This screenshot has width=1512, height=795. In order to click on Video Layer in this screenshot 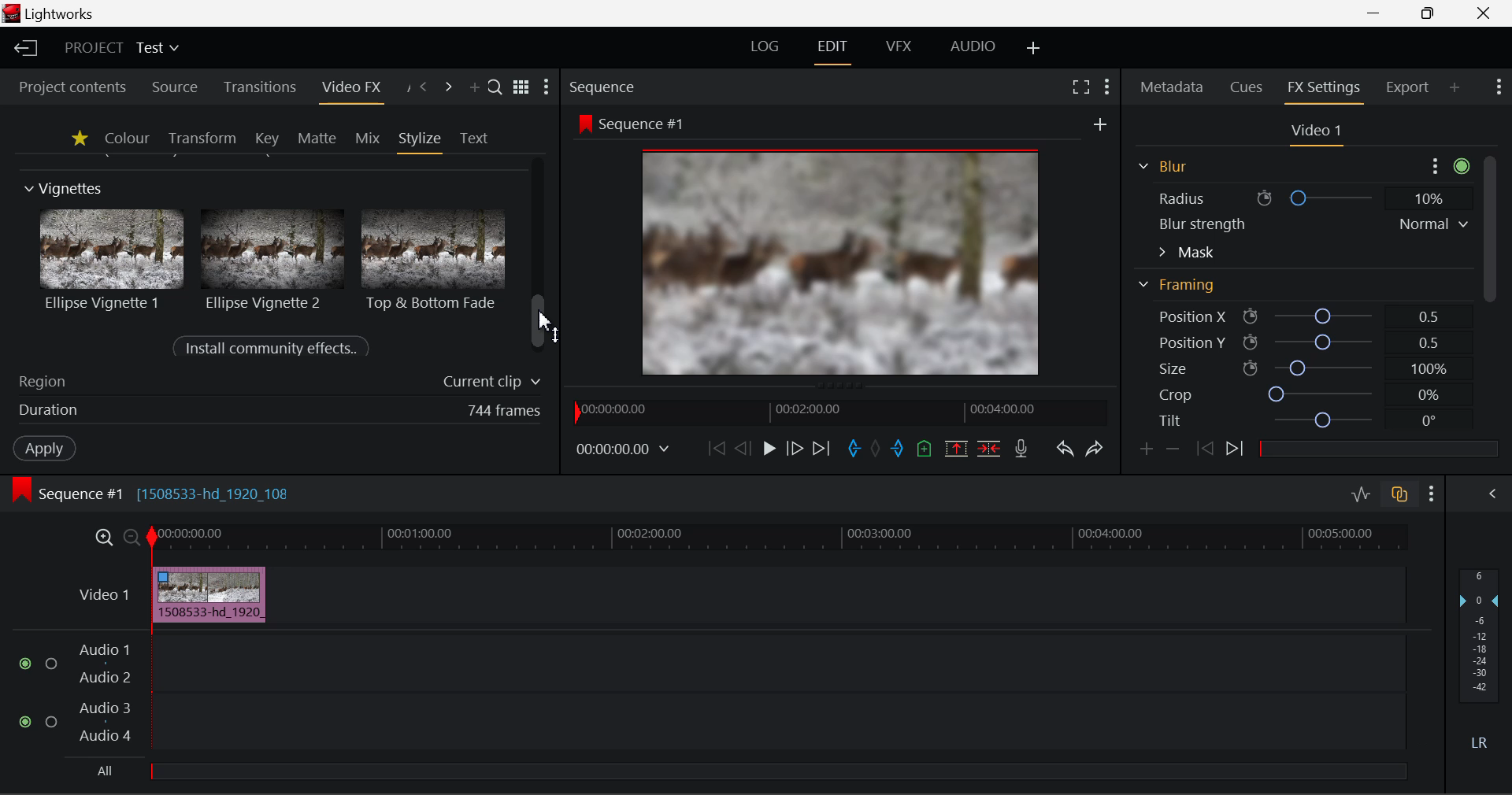, I will do `click(101, 593)`.